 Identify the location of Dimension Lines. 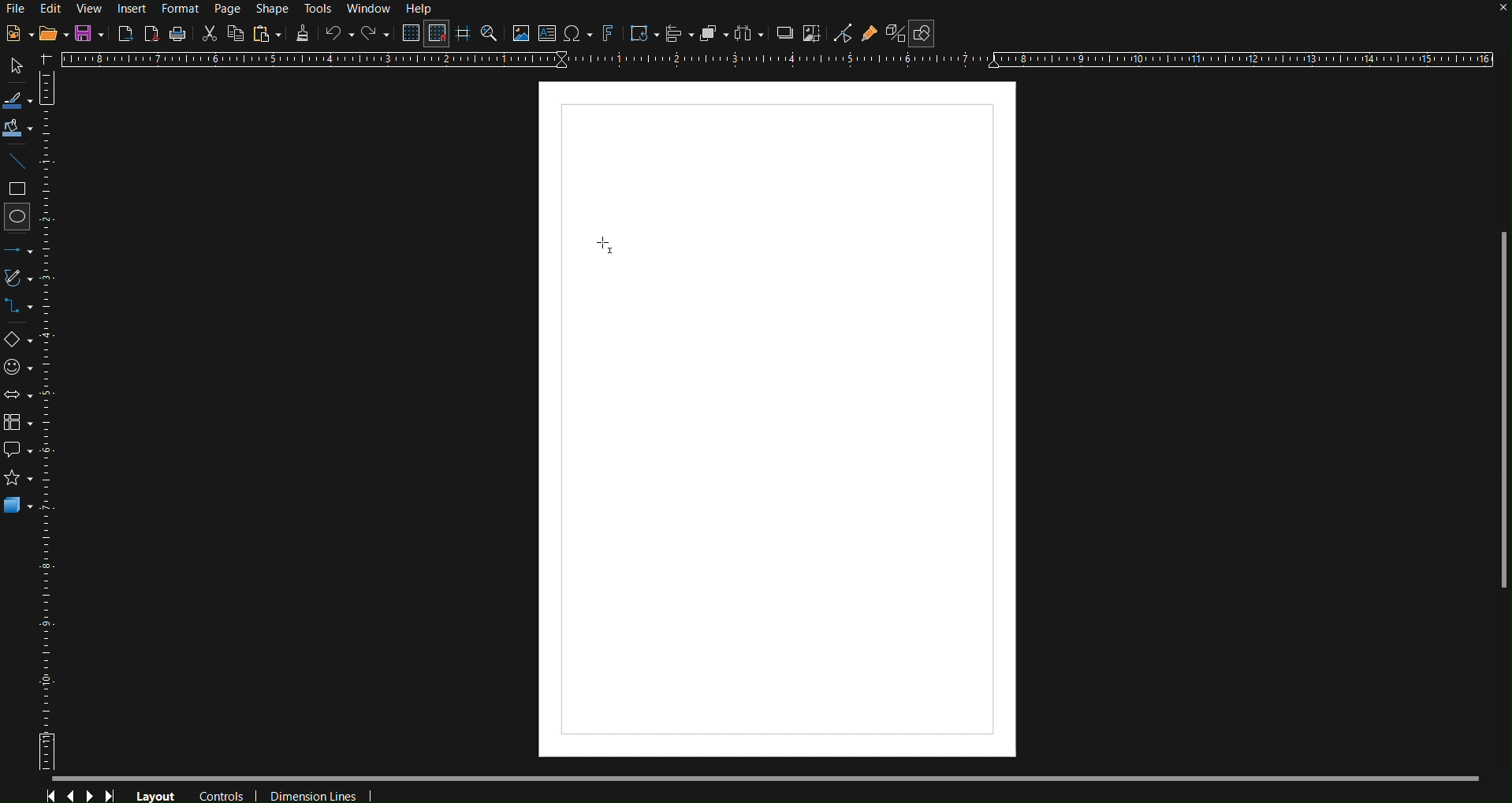
(317, 793).